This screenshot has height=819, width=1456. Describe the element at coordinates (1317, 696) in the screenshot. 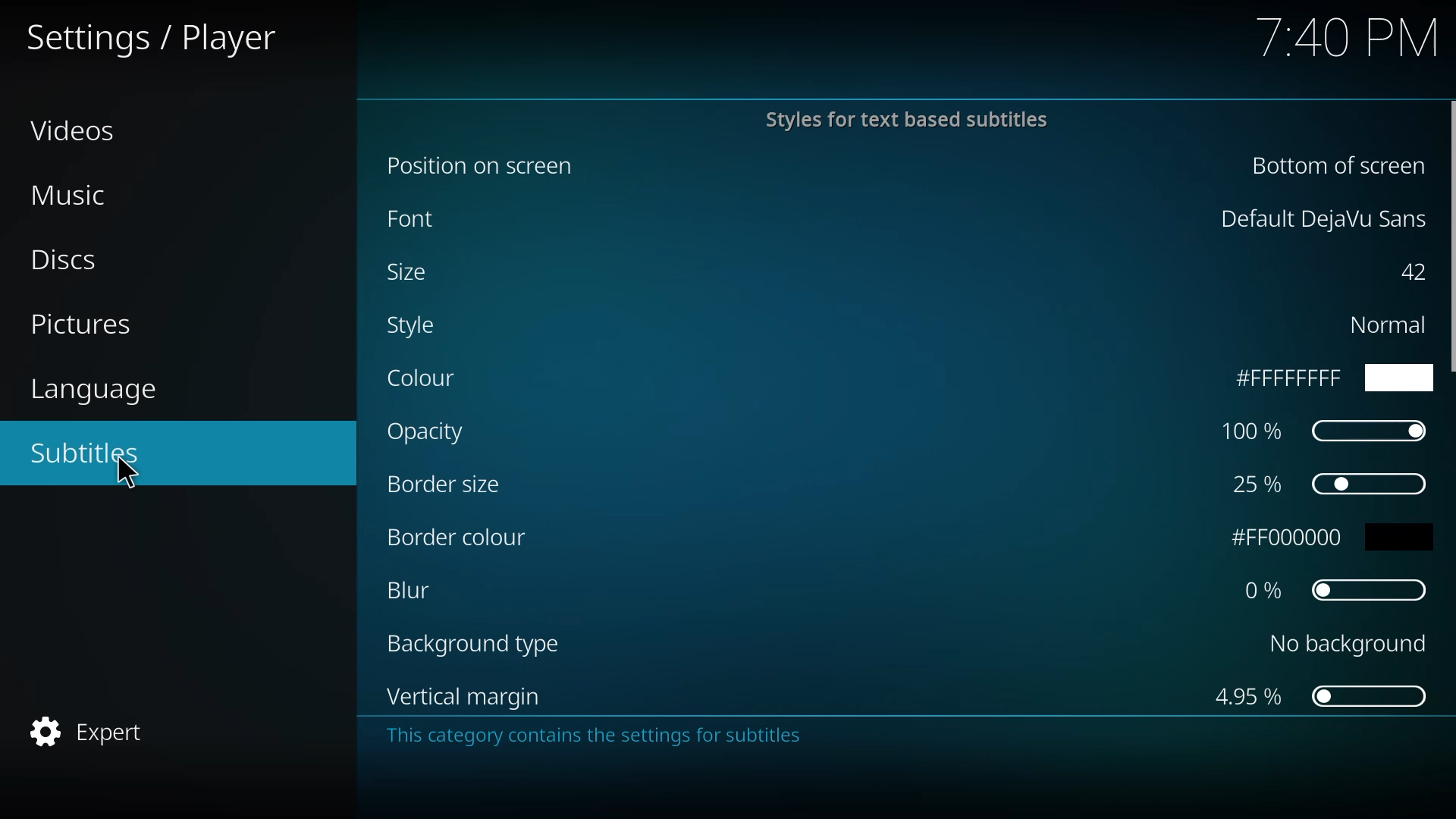

I see `4.95` at that location.